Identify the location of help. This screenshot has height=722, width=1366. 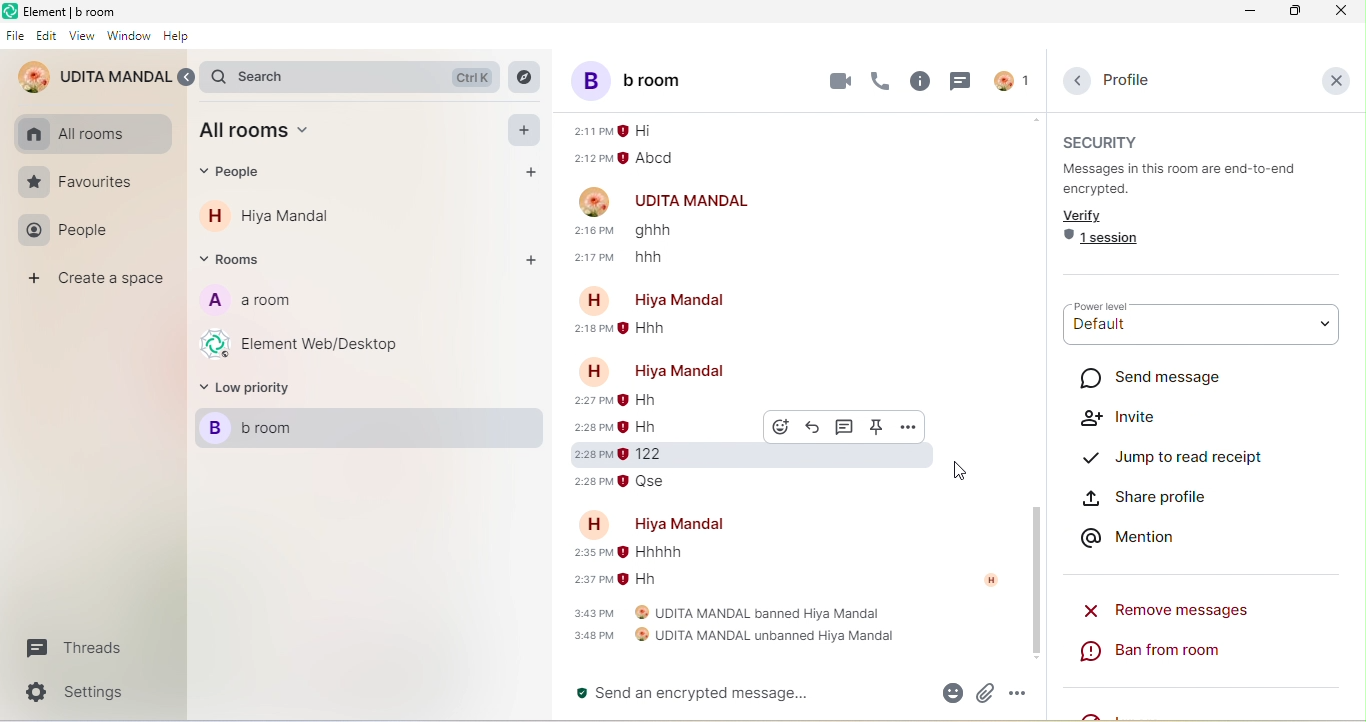
(175, 37).